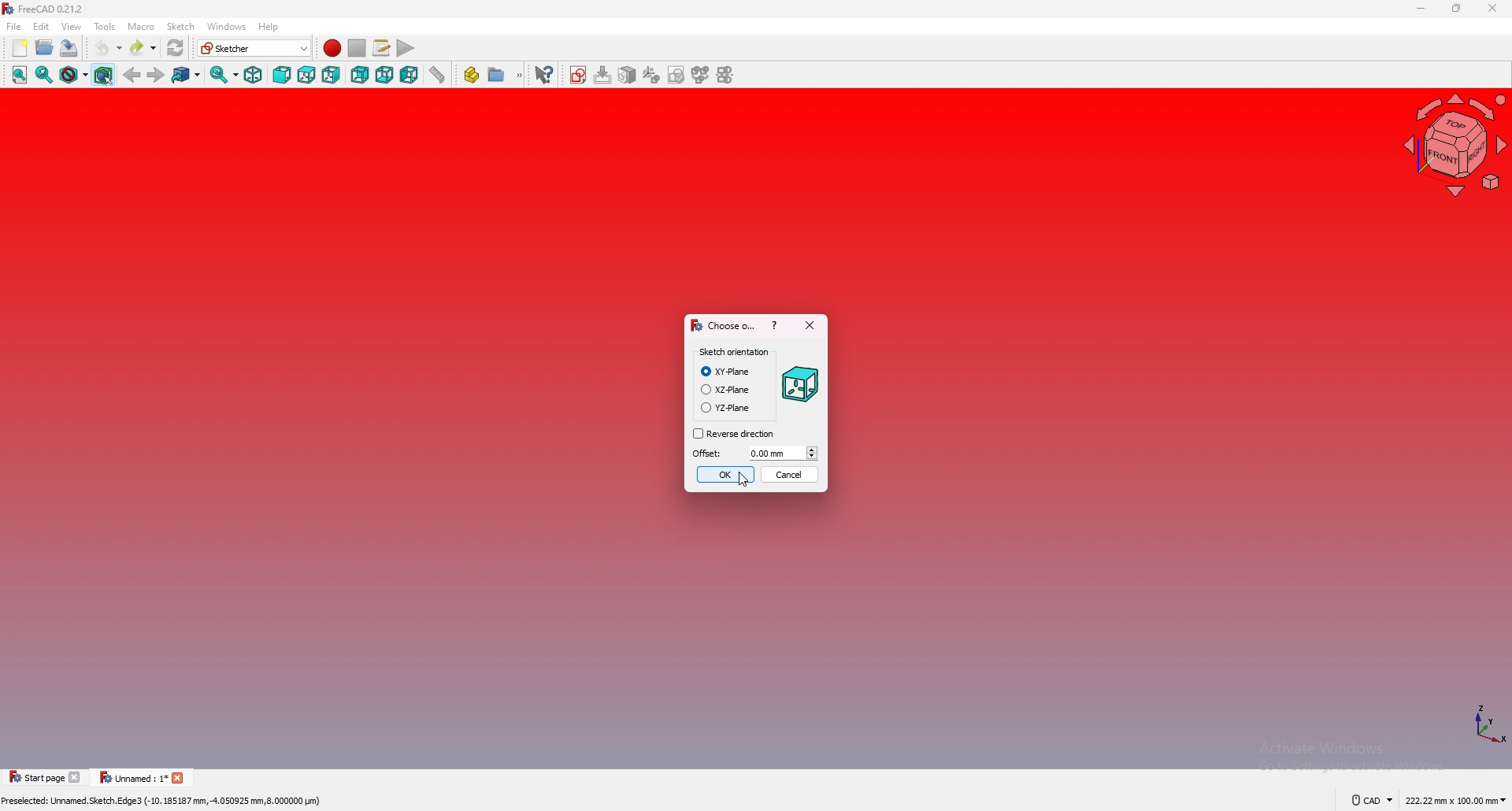 The height and width of the screenshot is (811, 1512). Describe the element at coordinates (109, 47) in the screenshot. I see `undo` at that location.